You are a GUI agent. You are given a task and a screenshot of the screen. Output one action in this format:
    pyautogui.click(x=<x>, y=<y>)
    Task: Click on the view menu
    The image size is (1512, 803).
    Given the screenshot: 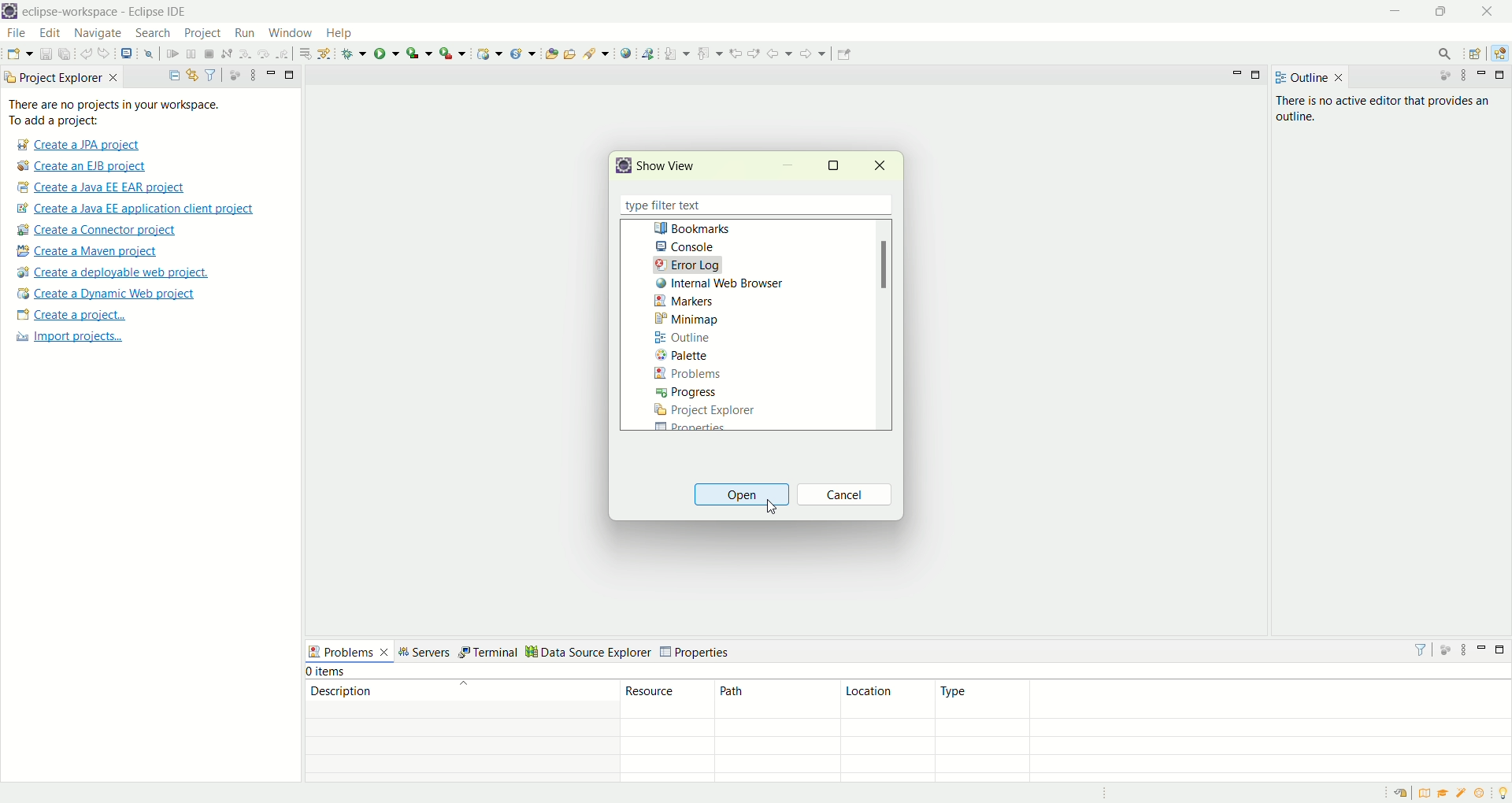 What is the action you would take?
    pyautogui.click(x=1466, y=652)
    